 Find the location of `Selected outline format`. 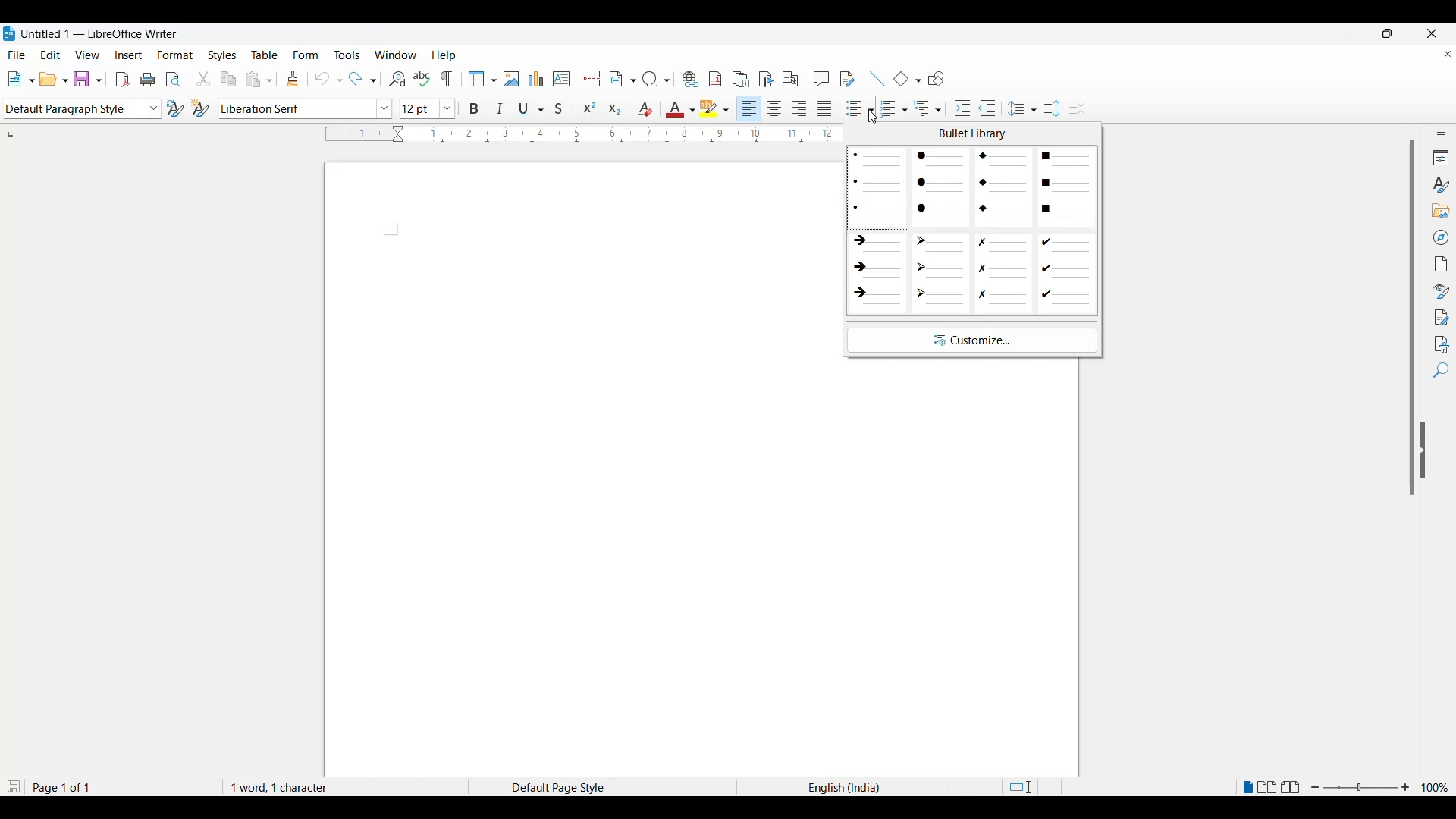

Selected outline format is located at coordinates (927, 108).